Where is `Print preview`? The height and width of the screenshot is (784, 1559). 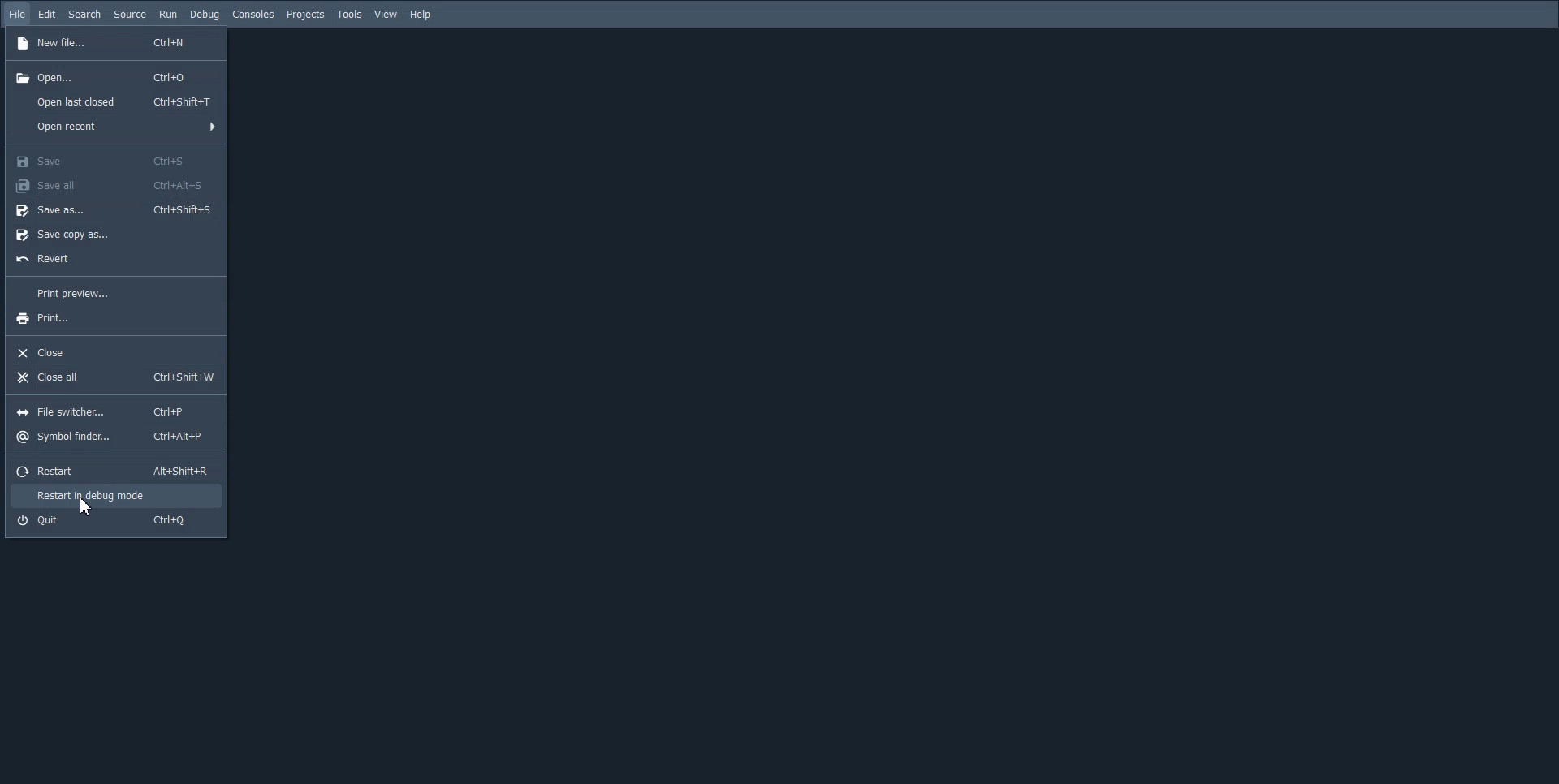 Print preview is located at coordinates (112, 291).